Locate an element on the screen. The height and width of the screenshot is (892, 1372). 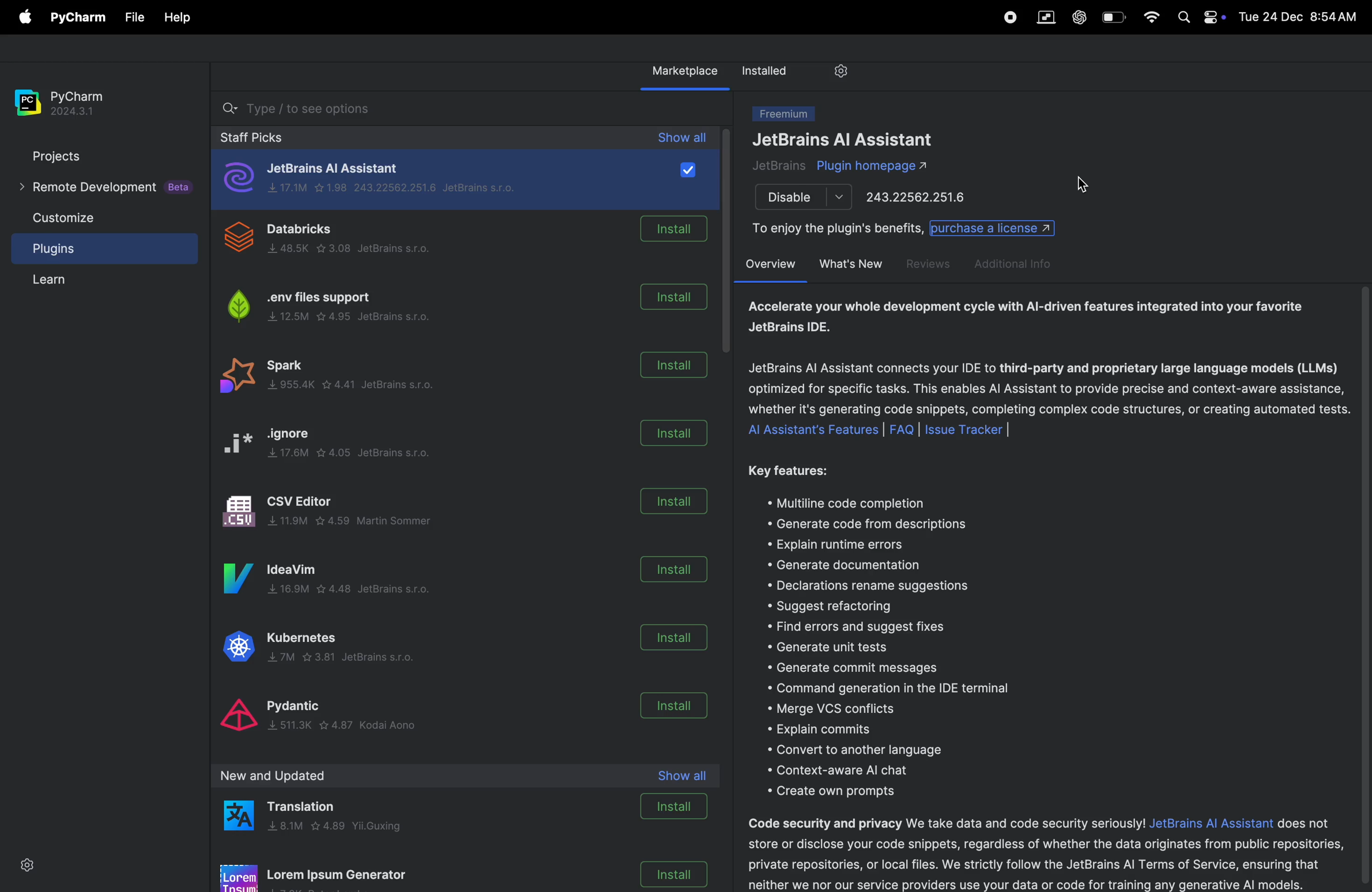
new and upload is located at coordinates (276, 781).